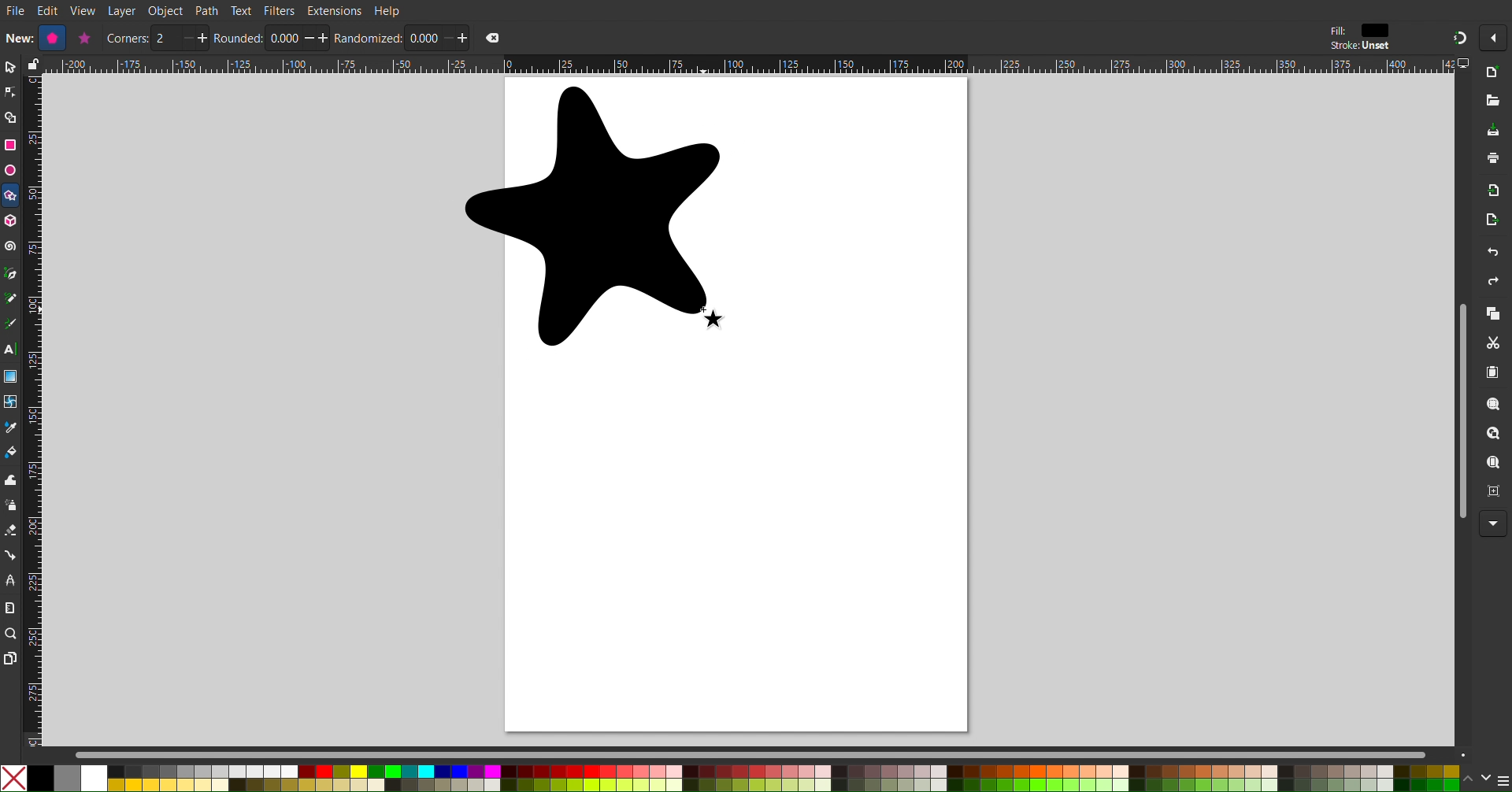  I want to click on Copy, so click(1493, 315).